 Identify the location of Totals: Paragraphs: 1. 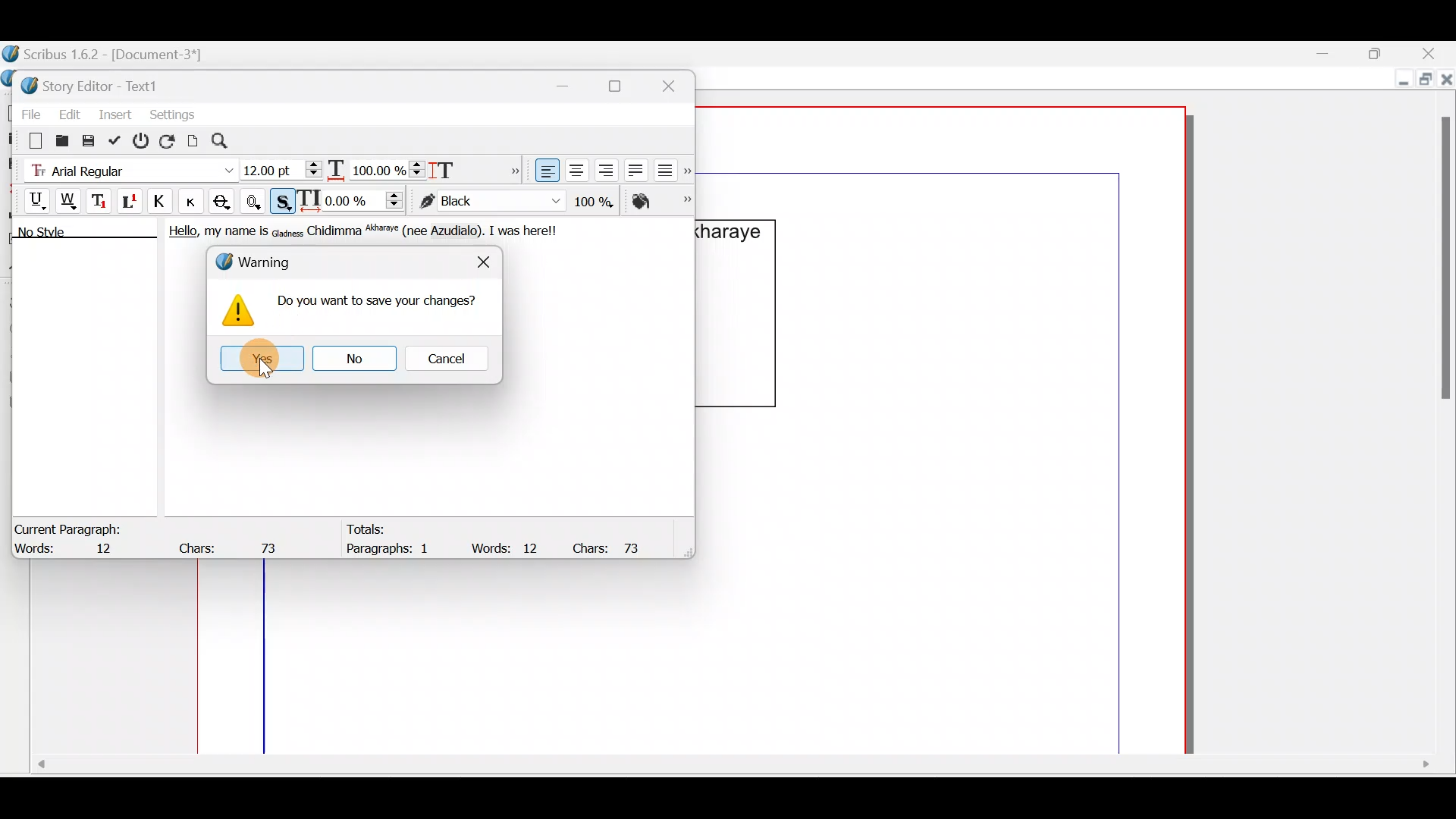
(395, 541).